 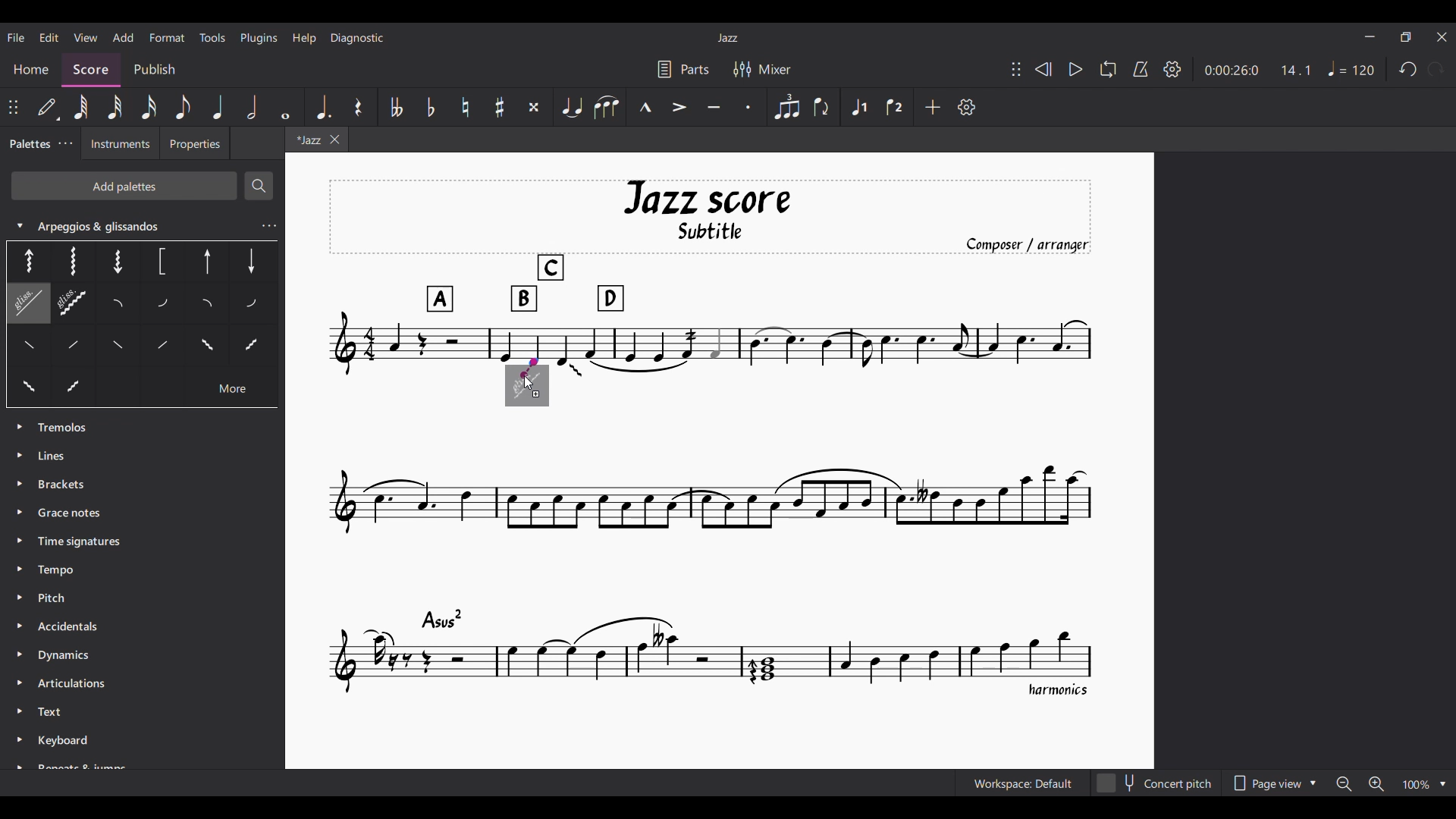 I want to click on Close tab, so click(x=334, y=140).